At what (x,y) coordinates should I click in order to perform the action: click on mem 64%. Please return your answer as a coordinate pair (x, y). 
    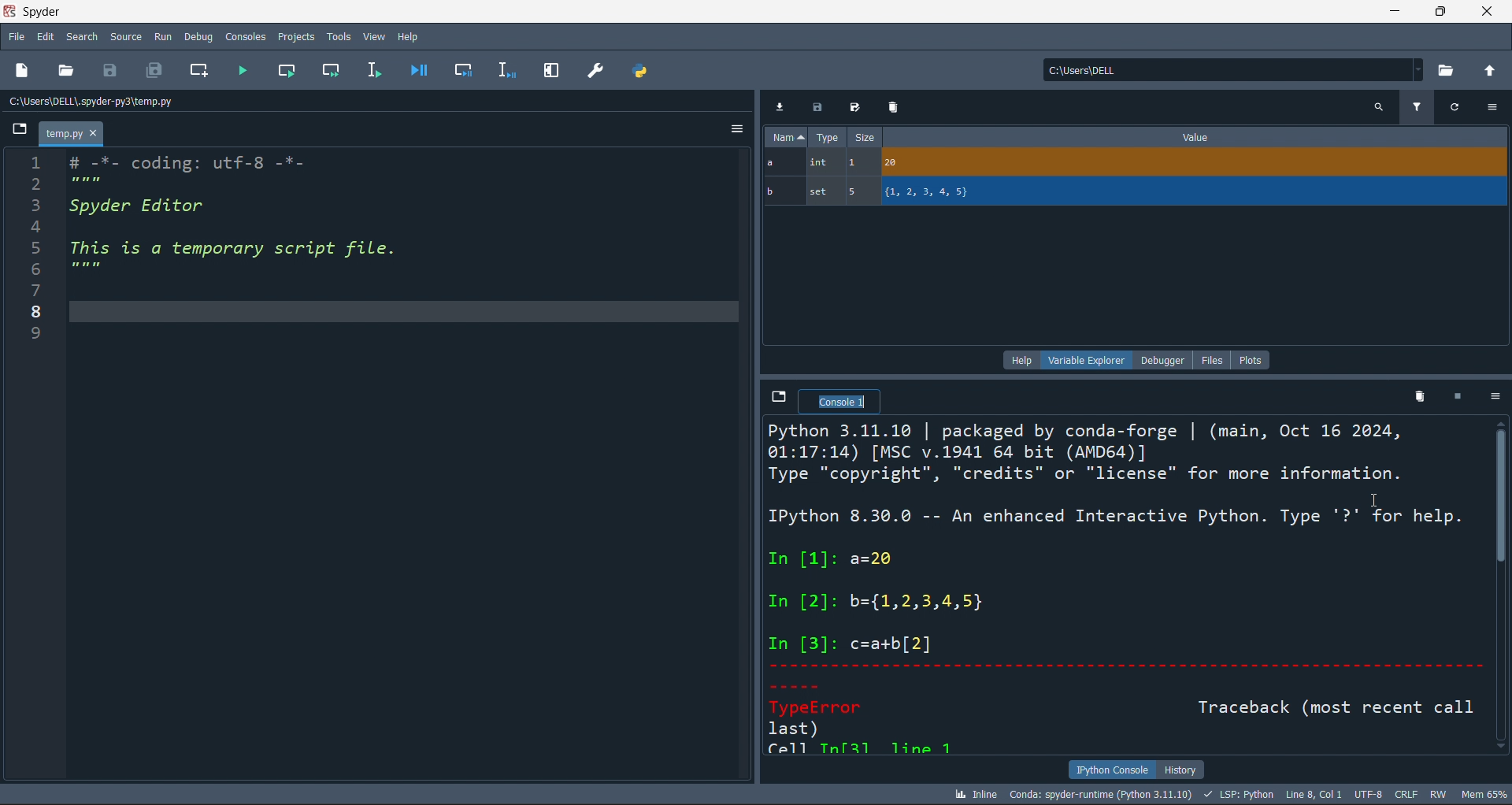
    Looking at the image, I should click on (1482, 793).